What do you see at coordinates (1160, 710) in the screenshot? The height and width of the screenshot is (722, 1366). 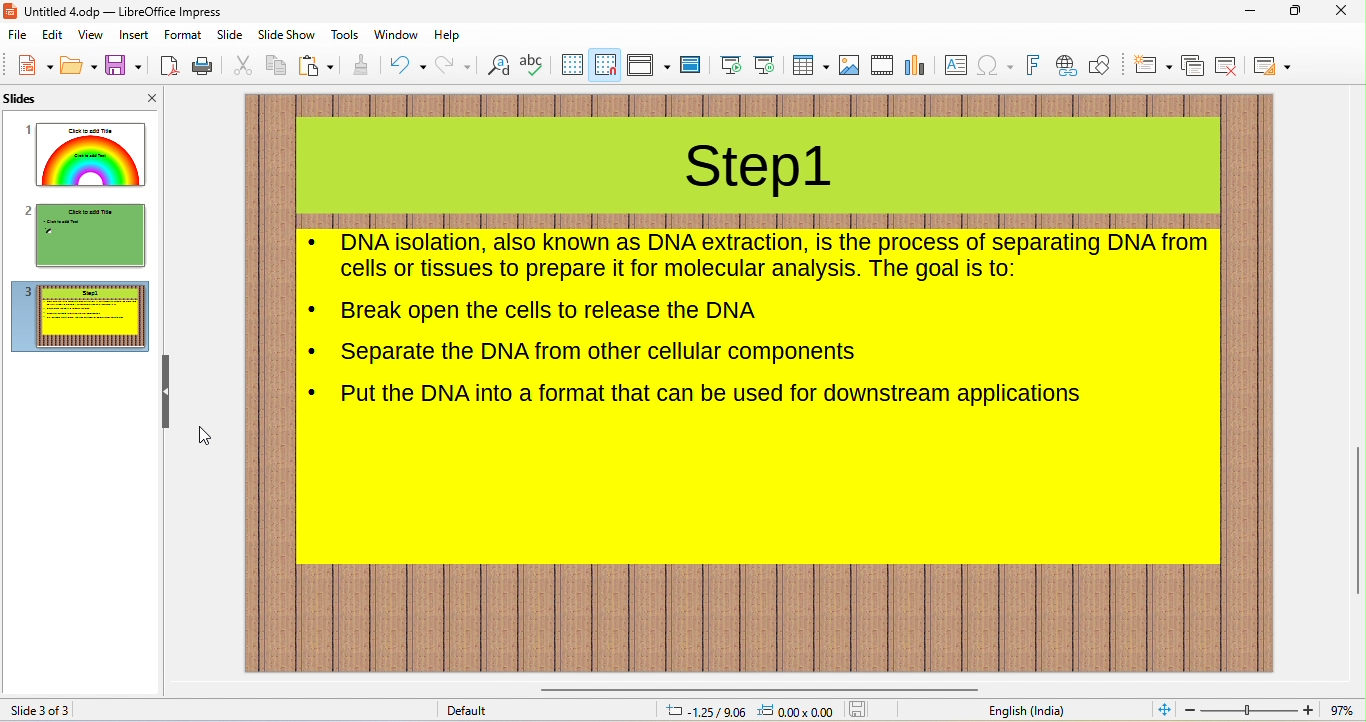 I see `fit to current slide` at bounding box center [1160, 710].